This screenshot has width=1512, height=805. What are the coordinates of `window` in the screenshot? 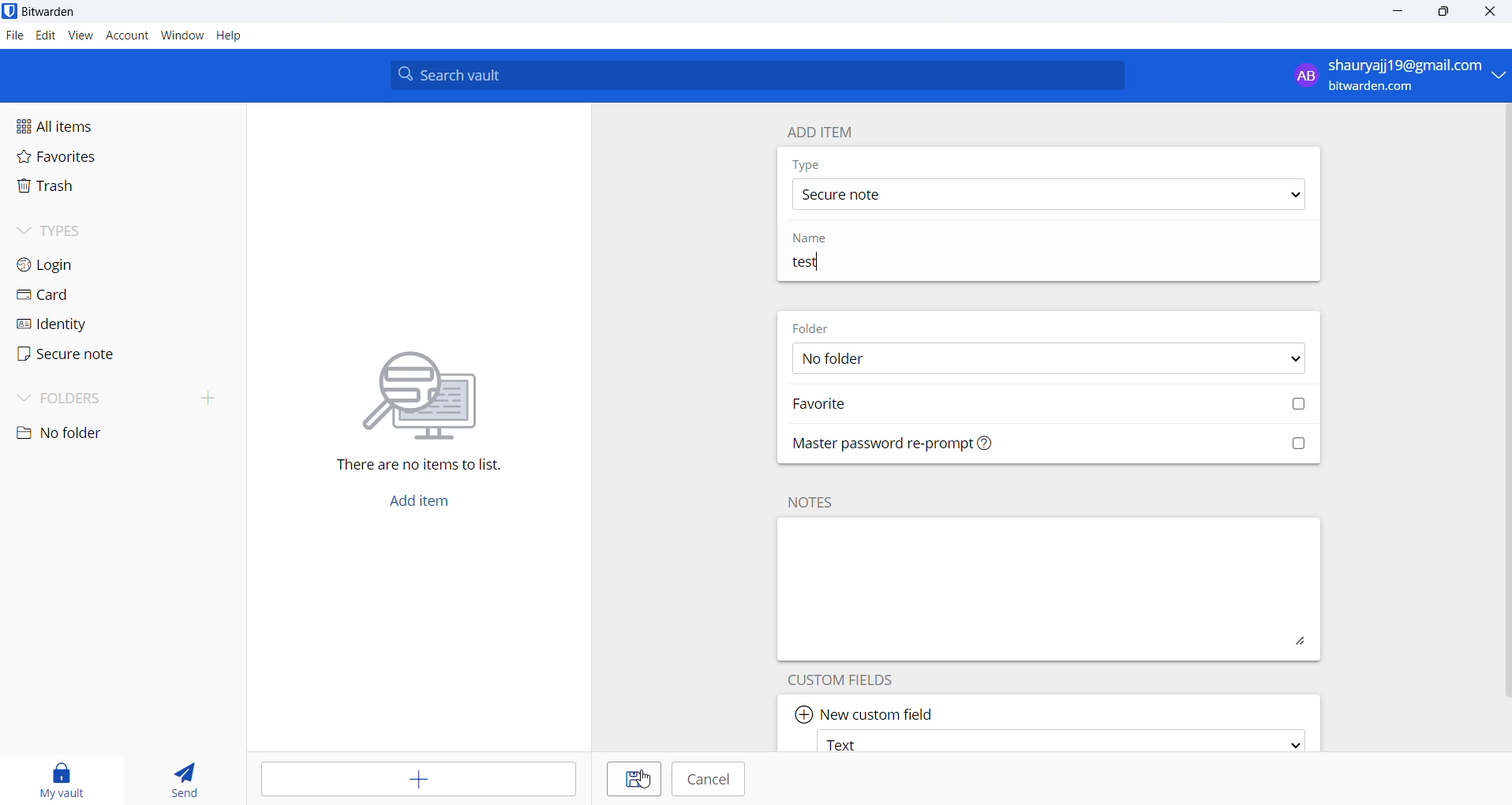 It's located at (182, 36).